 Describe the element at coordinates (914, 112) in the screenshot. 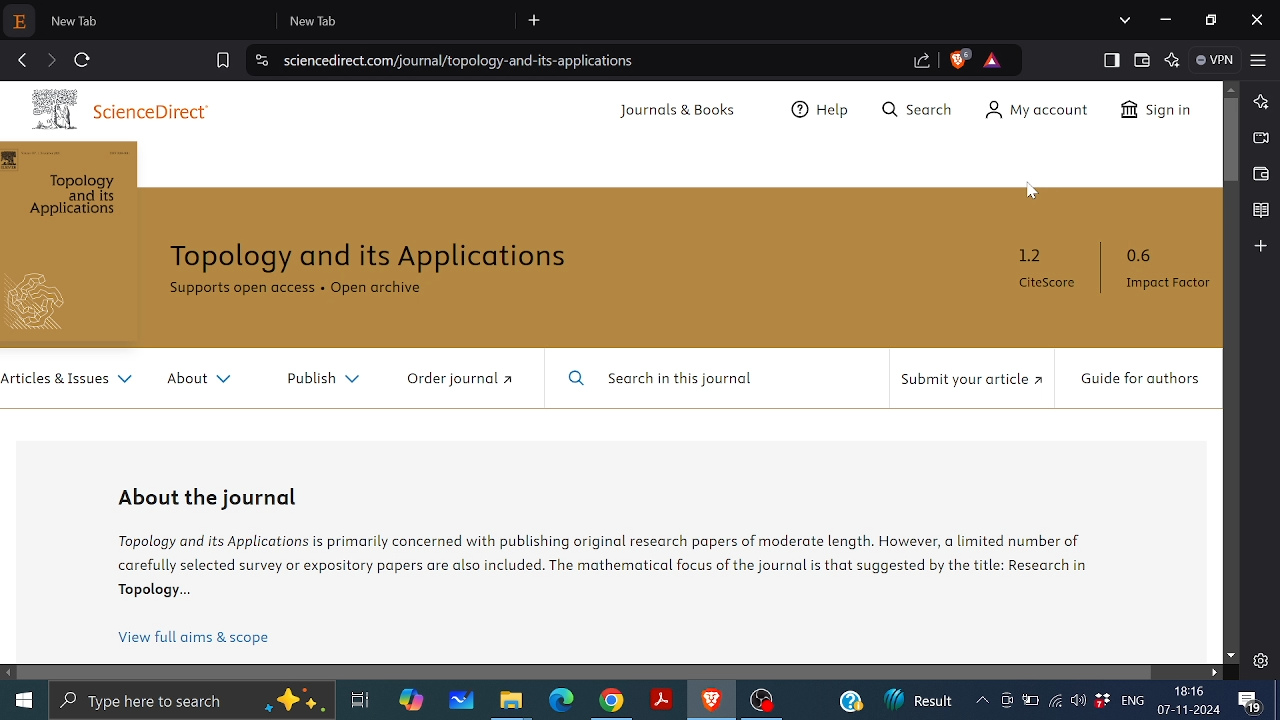

I see `Search` at that location.